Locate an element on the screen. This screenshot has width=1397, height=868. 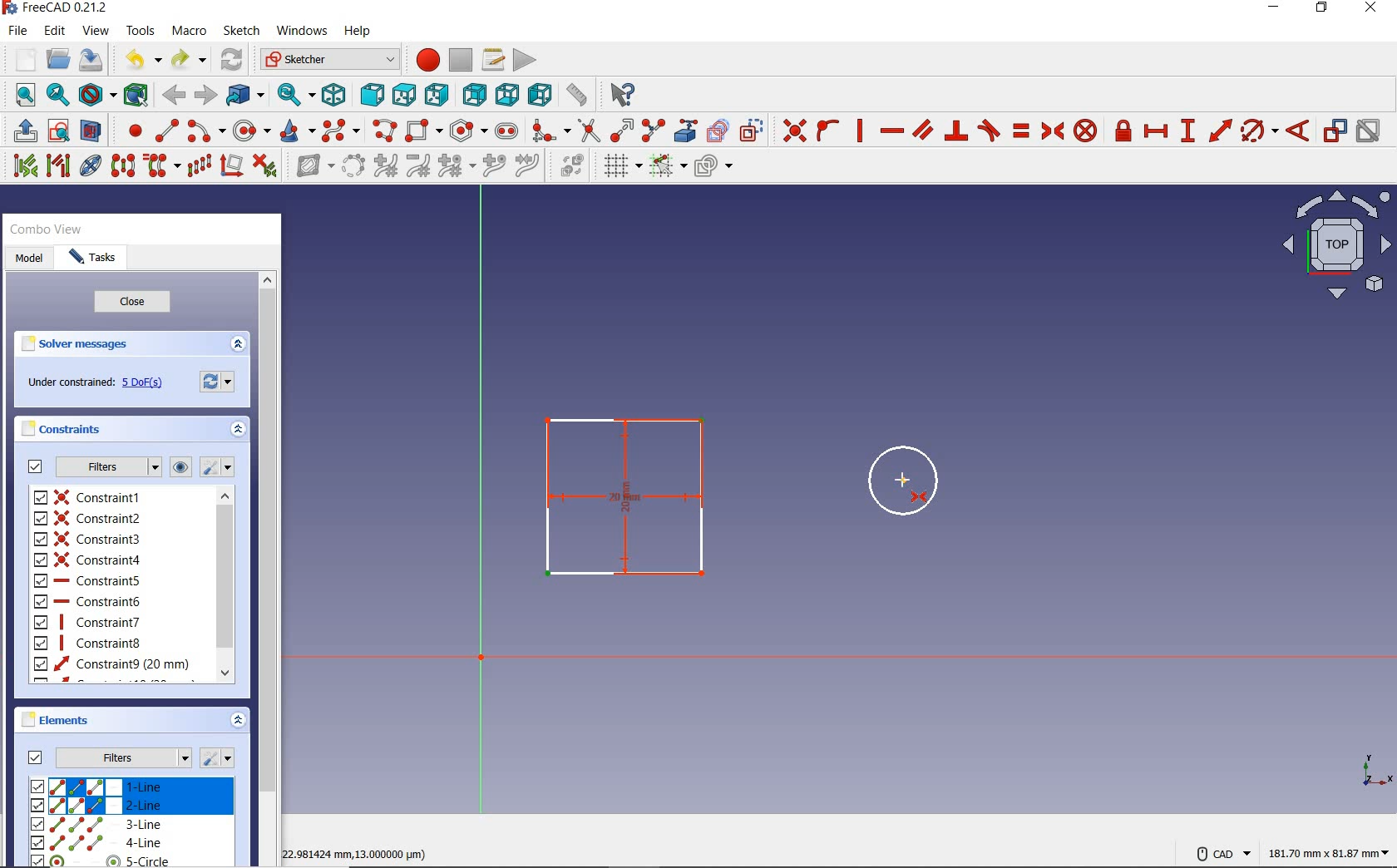
remove axes alignment is located at coordinates (232, 165).